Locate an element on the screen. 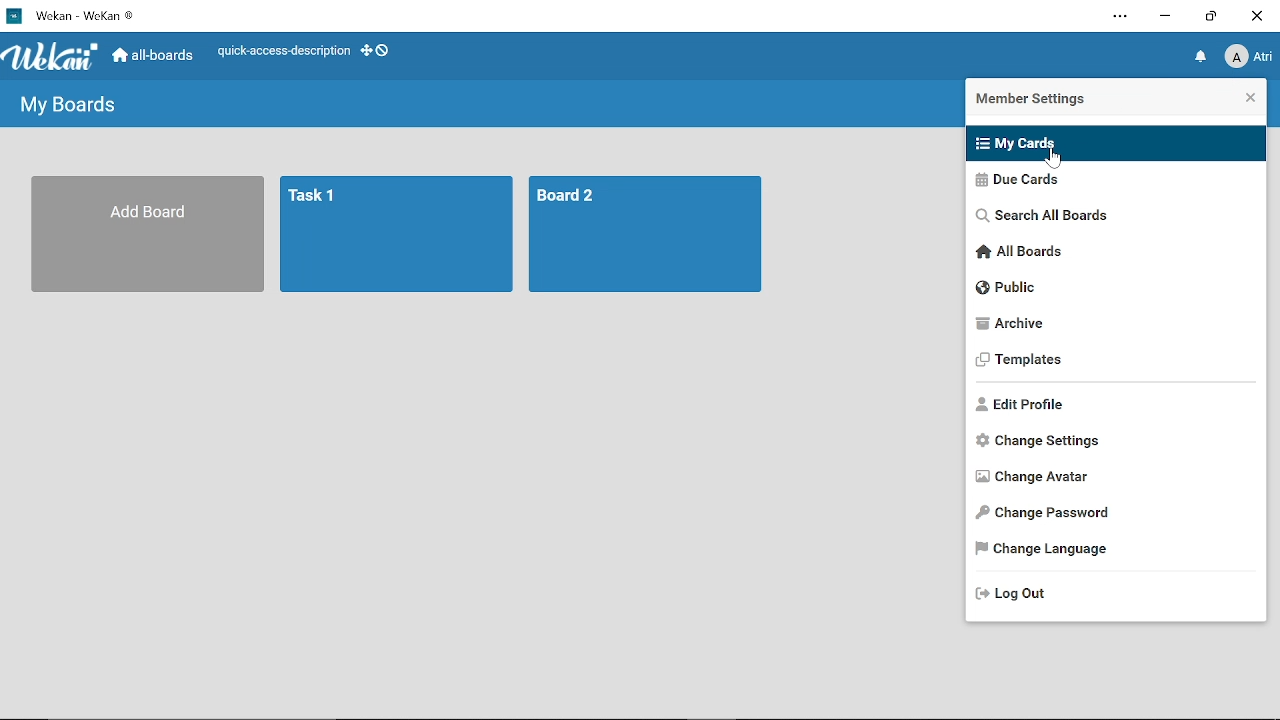 The width and height of the screenshot is (1280, 720). Cursor is located at coordinates (1053, 162).